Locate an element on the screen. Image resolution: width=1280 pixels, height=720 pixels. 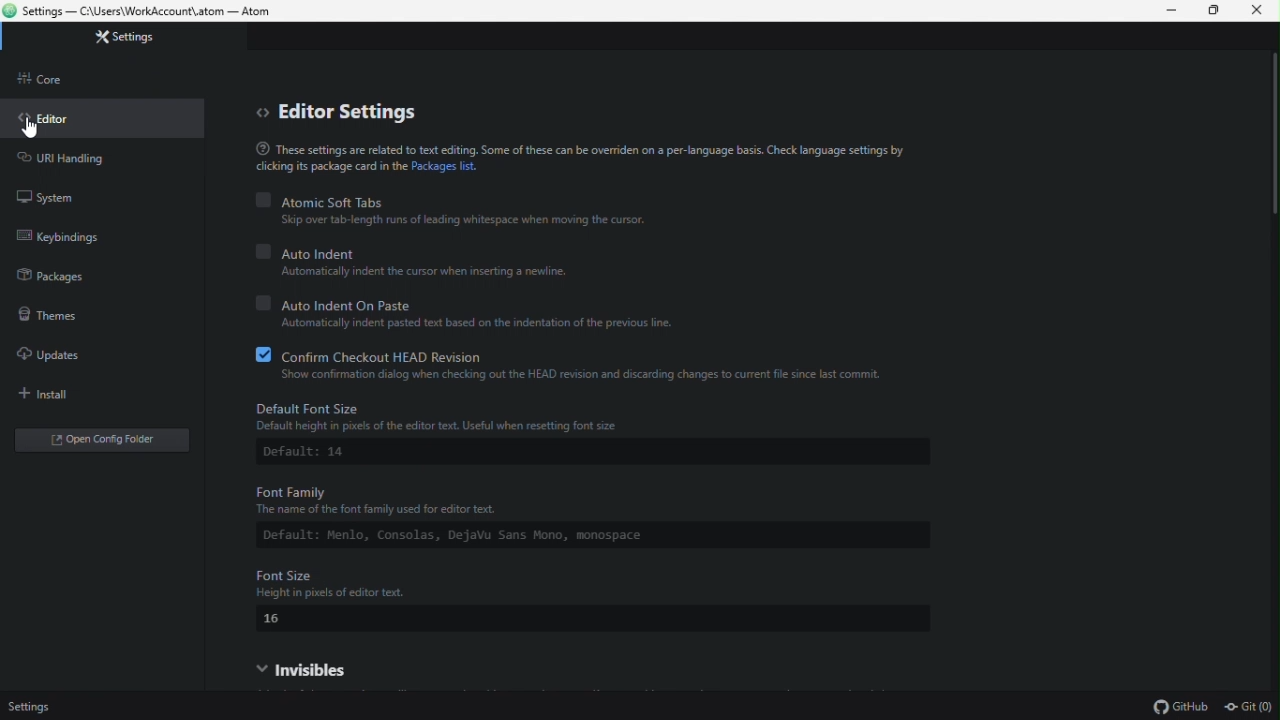
Editor is located at coordinates (56, 124).